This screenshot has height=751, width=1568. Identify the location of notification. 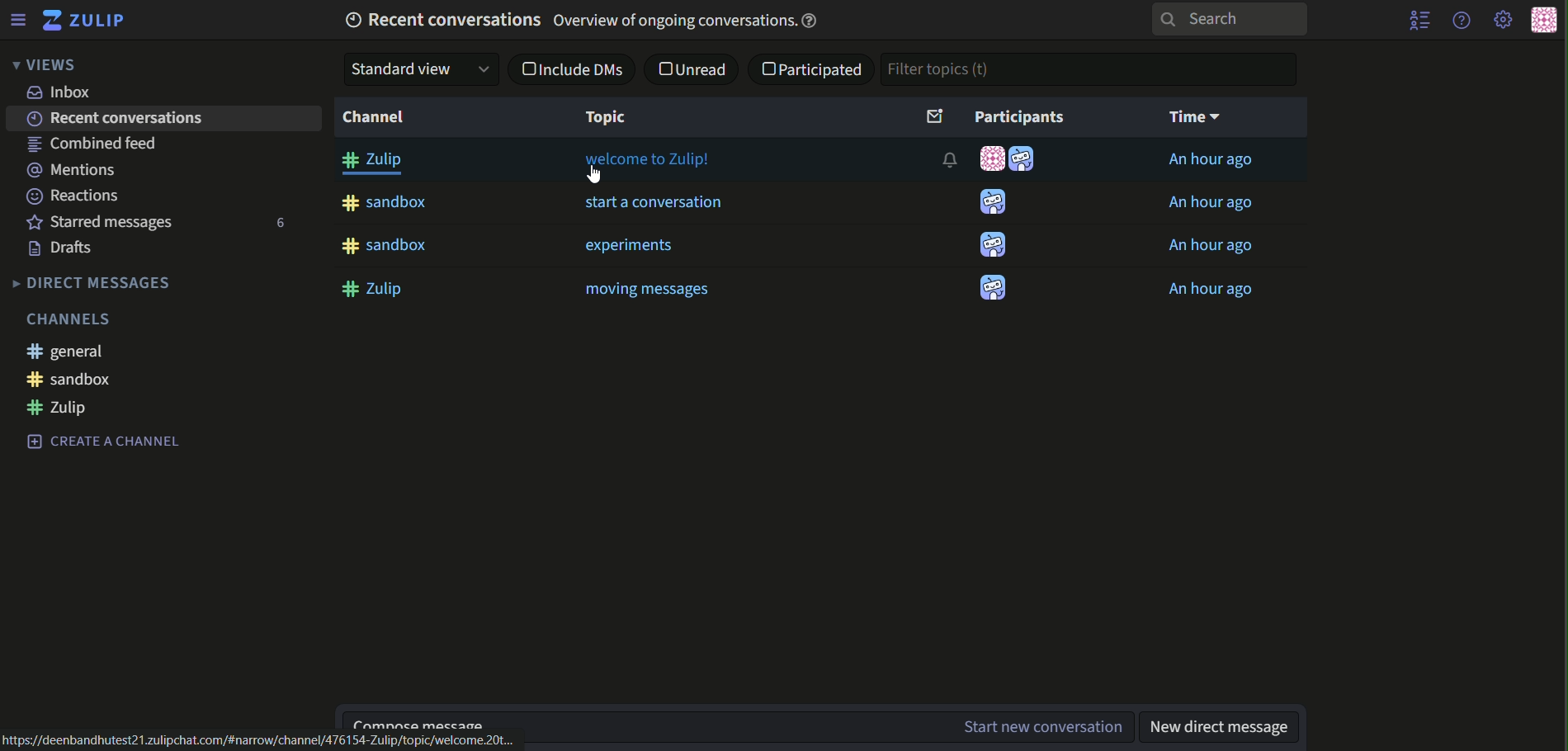
(950, 158).